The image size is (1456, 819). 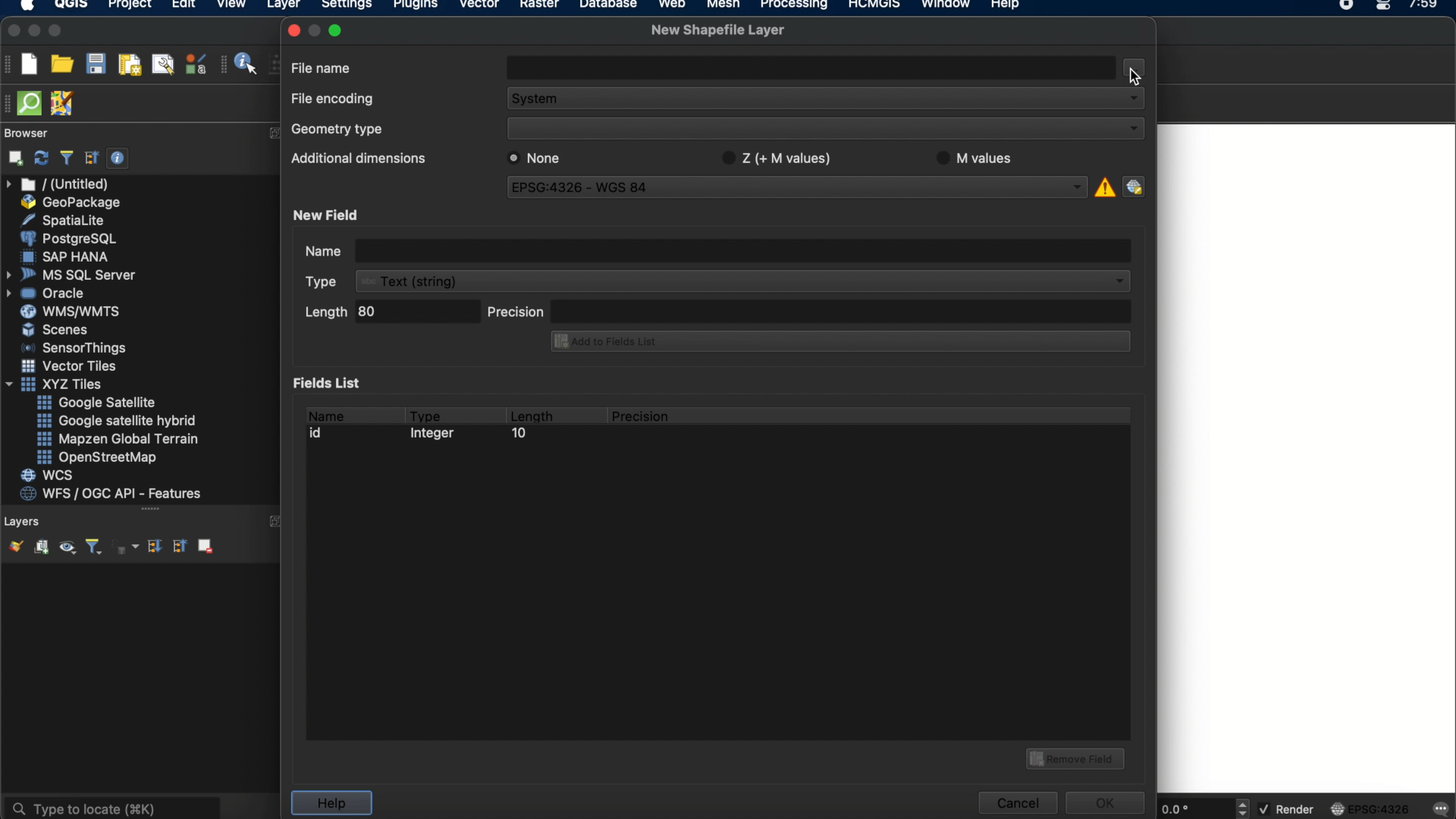 I want to click on add selected layers, so click(x=13, y=158).